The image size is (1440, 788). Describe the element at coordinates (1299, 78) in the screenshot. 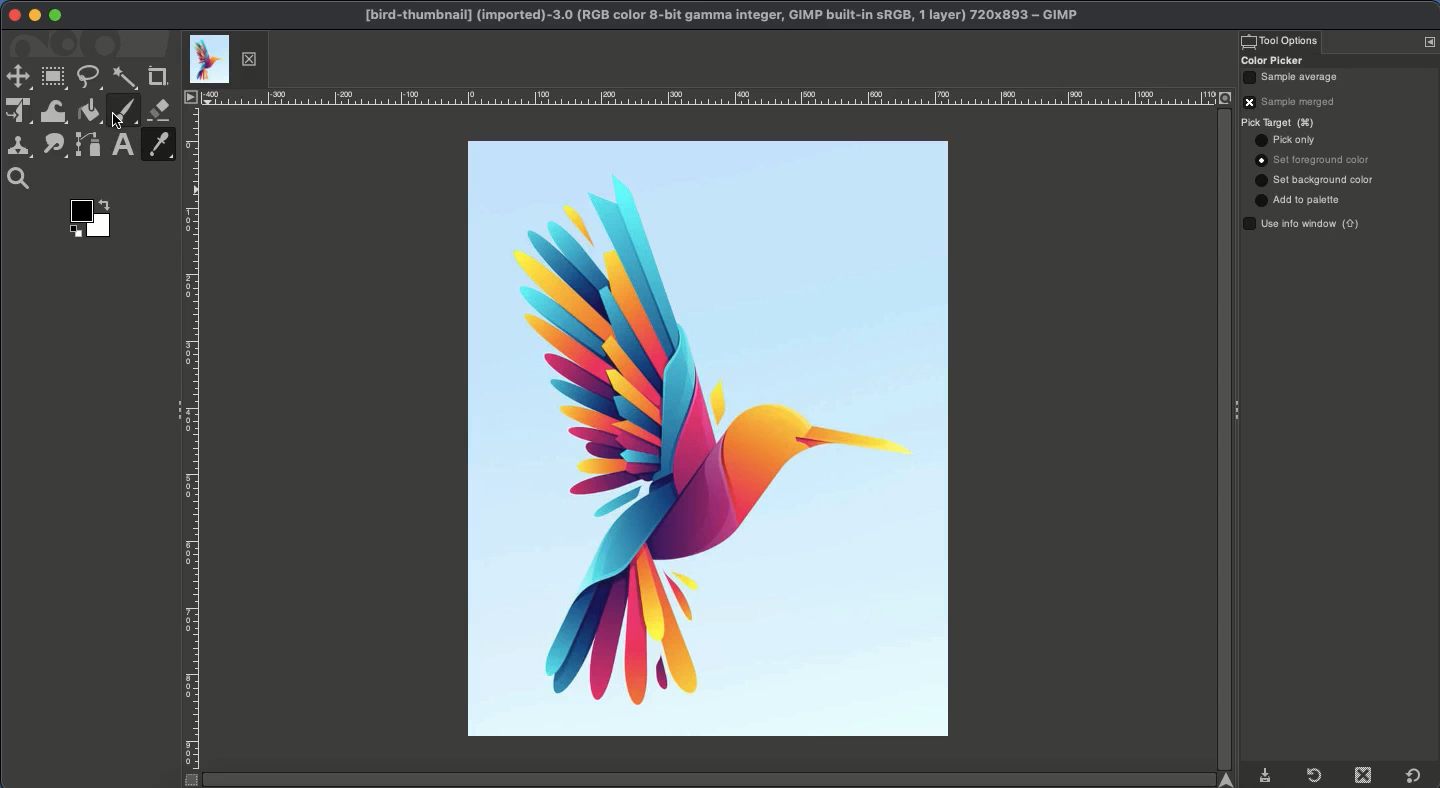

I see `Sample average` at that location.